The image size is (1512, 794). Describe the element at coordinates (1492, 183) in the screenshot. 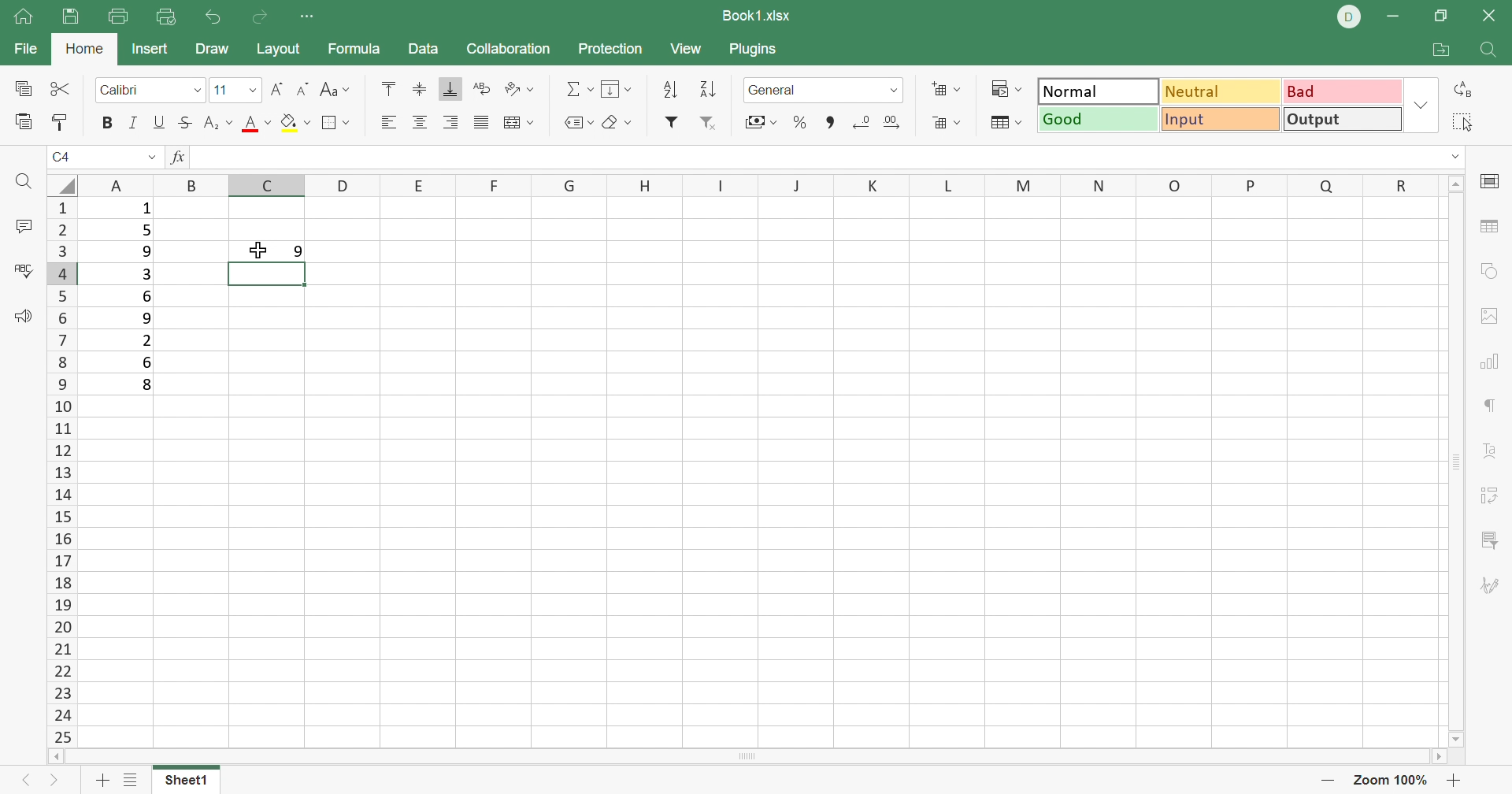

I see `cell settings` at that location.